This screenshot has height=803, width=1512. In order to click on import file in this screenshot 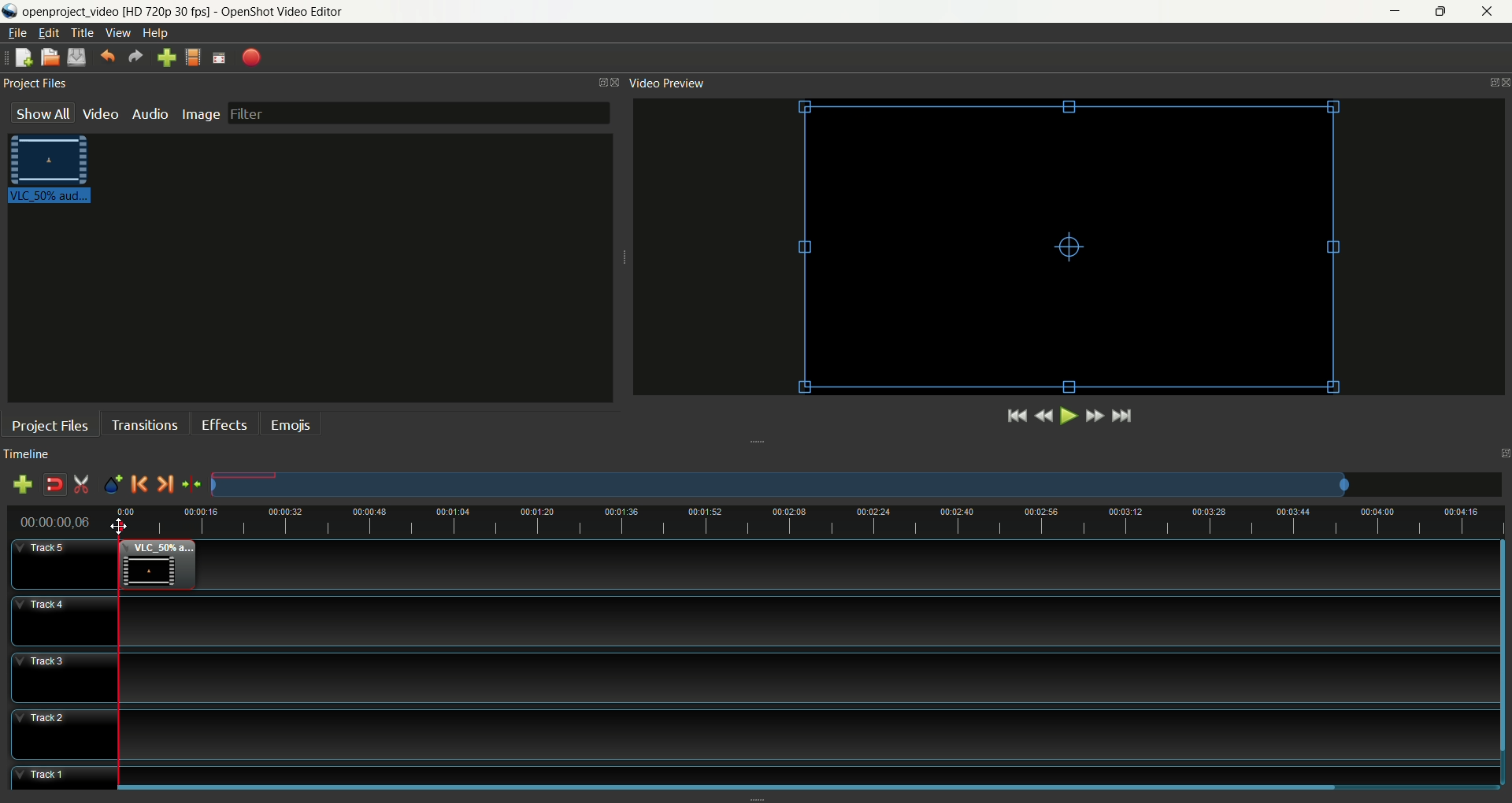, I will do `click(165, 57)`.